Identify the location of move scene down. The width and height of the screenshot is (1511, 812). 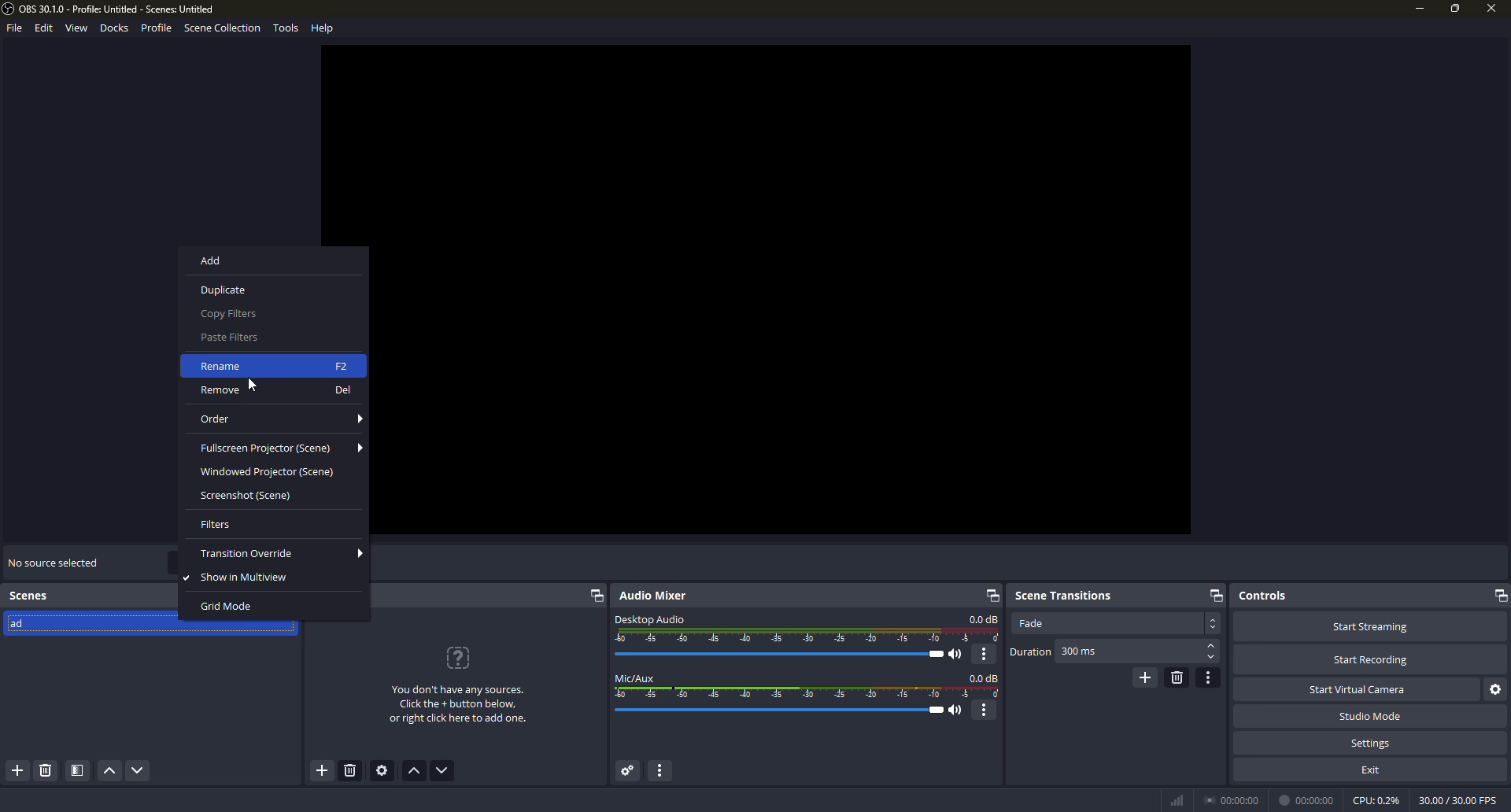
(139, 772).